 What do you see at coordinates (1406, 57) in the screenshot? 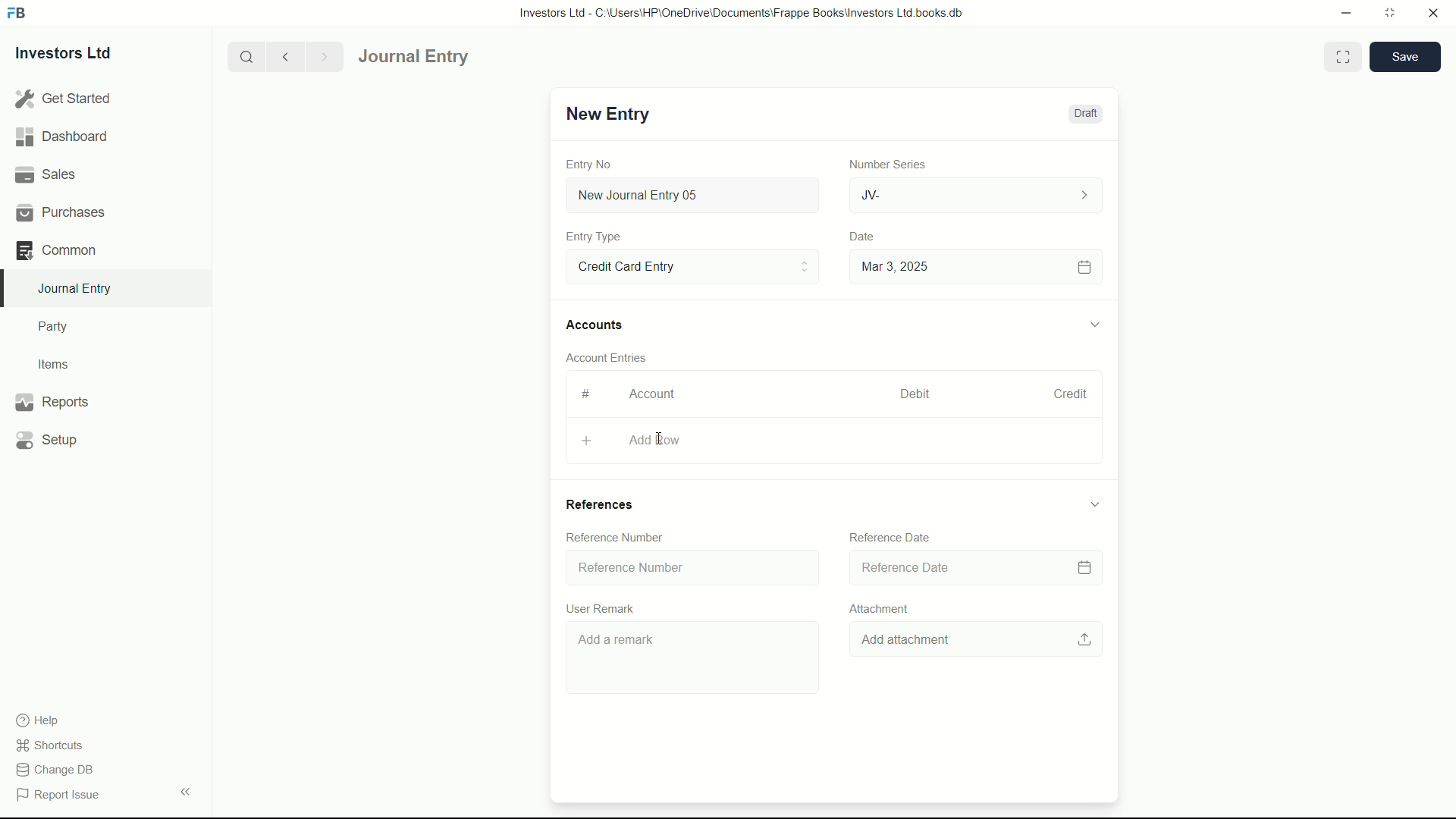
I see `save` at bounding box center [1406, 57].